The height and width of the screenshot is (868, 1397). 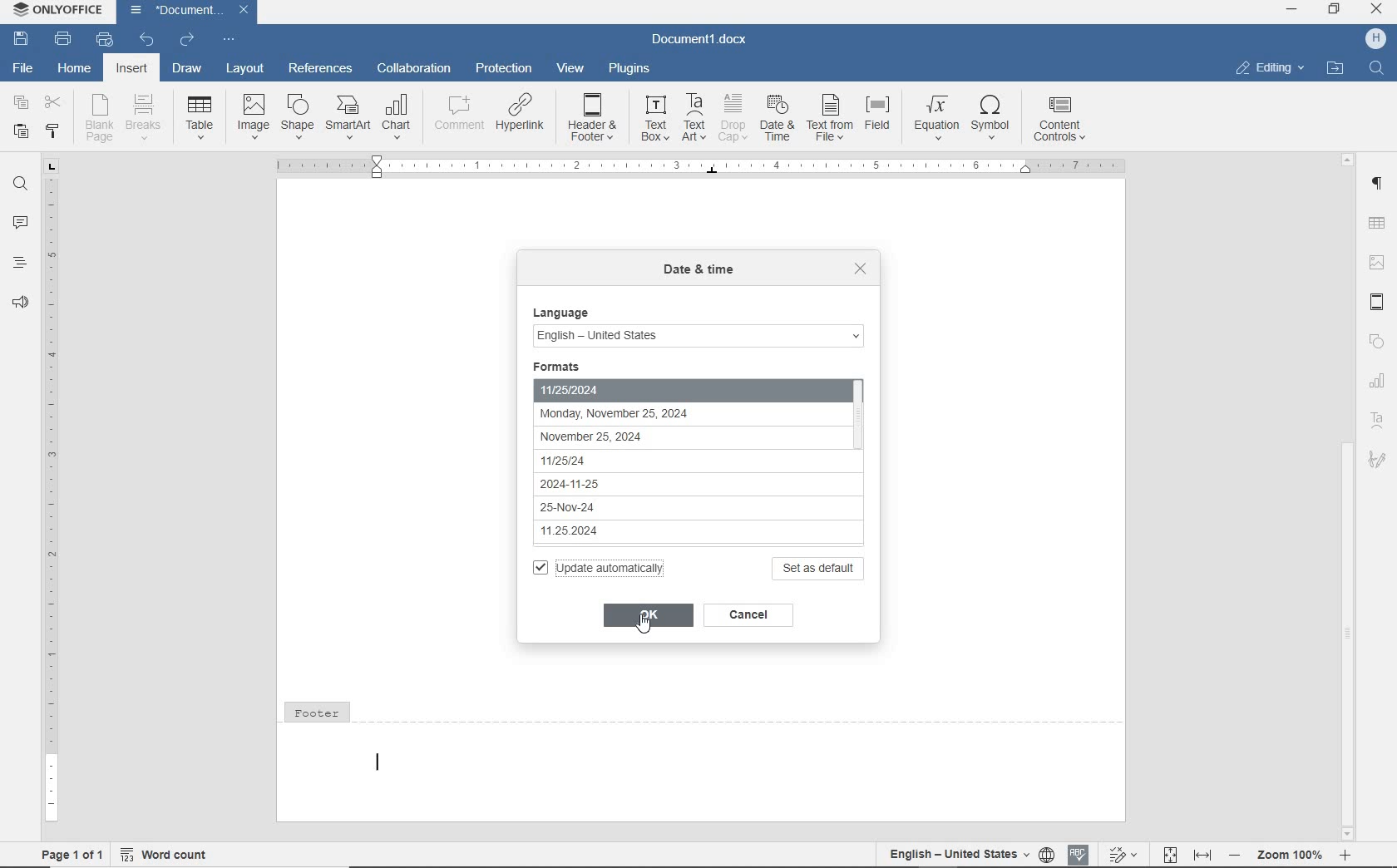 What do you see at coordinates (1203, 856) in the screenshot?
I see `fit to width` at bounding box center [1203, 856].